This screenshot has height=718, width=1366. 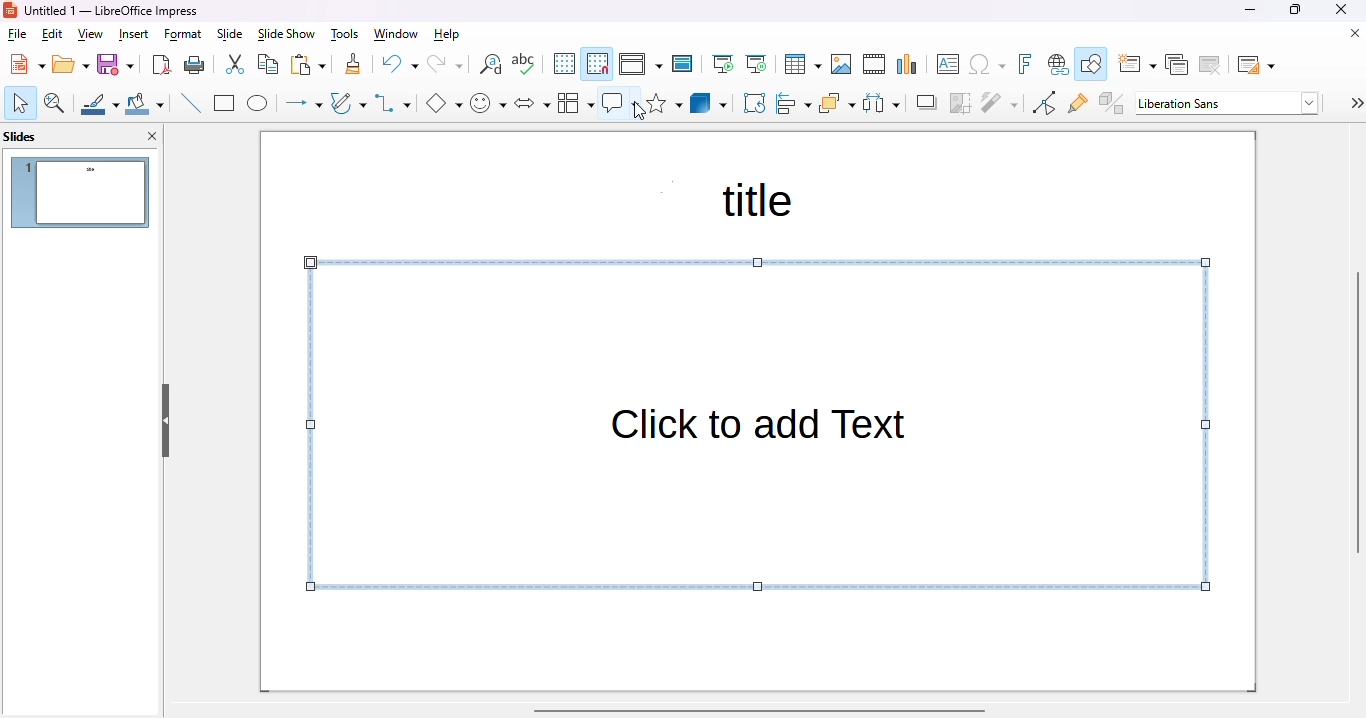 I want to click on logo, so click(x=10, y=11).